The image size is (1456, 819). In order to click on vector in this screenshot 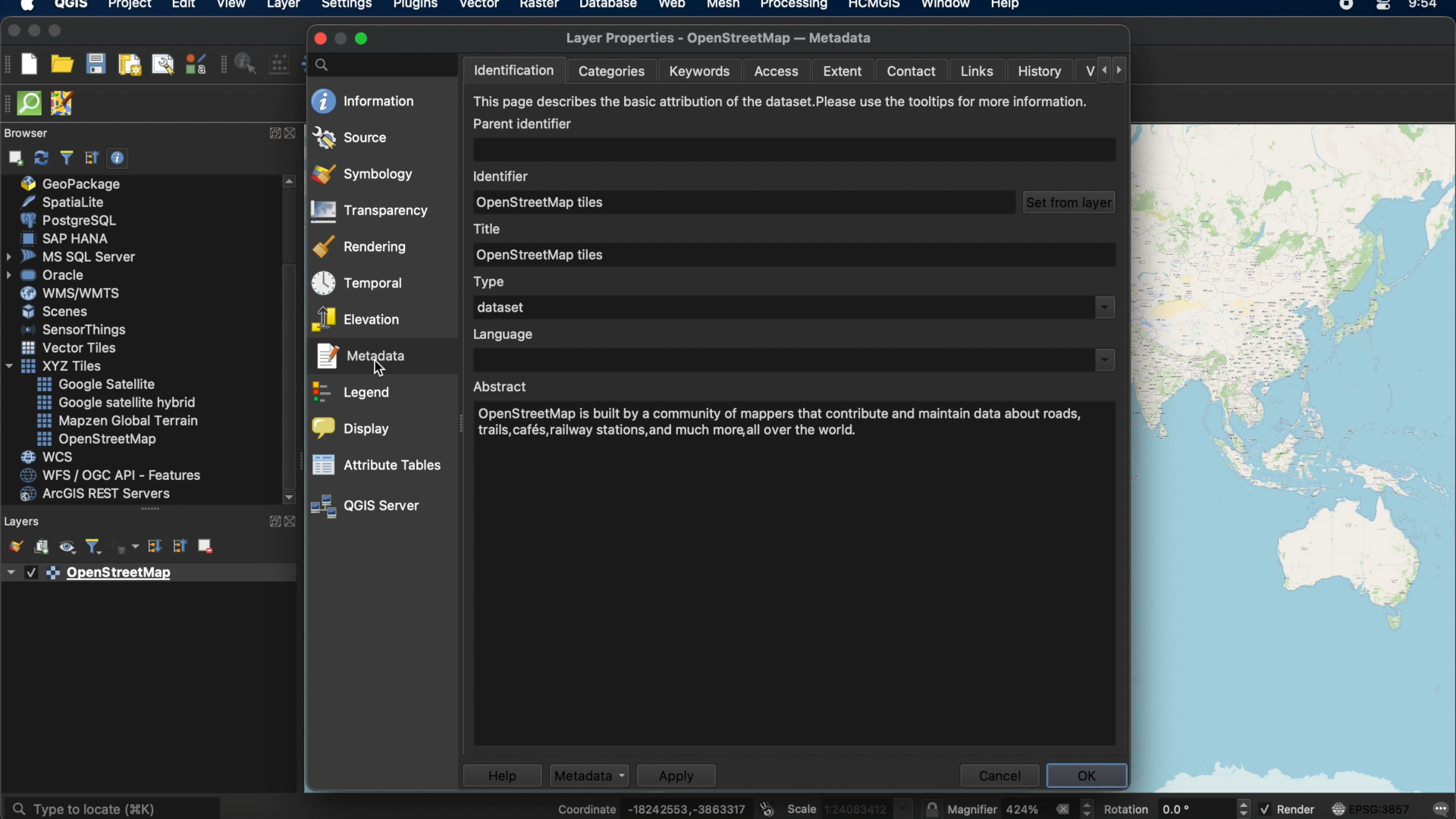, I will do `click(479, 6)`.